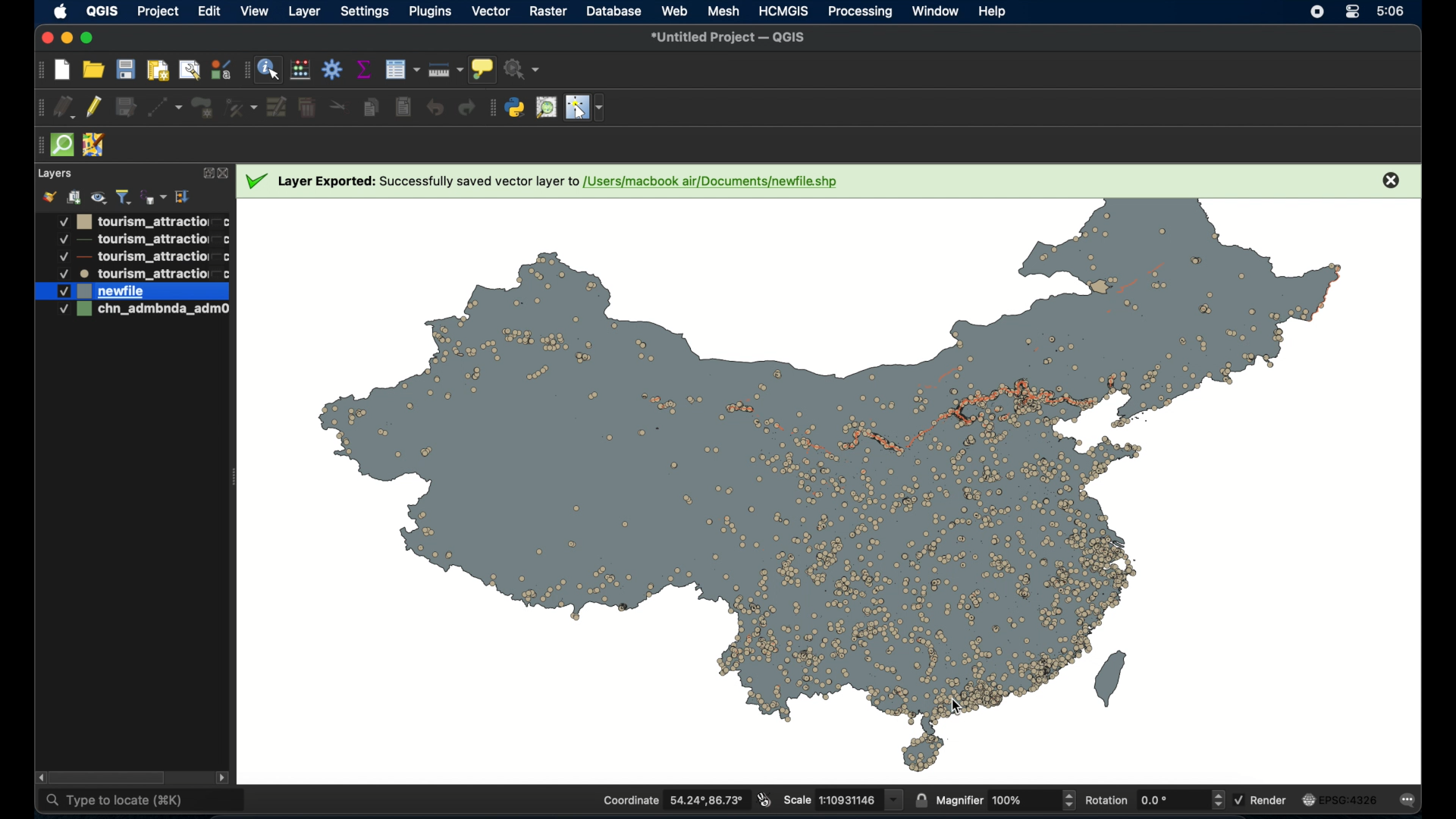 The height and width of the screenshot is (819, 1456). Describe the element at coordinates (132, 291) in the screenshot. I see `layer 5 highlighted` at that location.